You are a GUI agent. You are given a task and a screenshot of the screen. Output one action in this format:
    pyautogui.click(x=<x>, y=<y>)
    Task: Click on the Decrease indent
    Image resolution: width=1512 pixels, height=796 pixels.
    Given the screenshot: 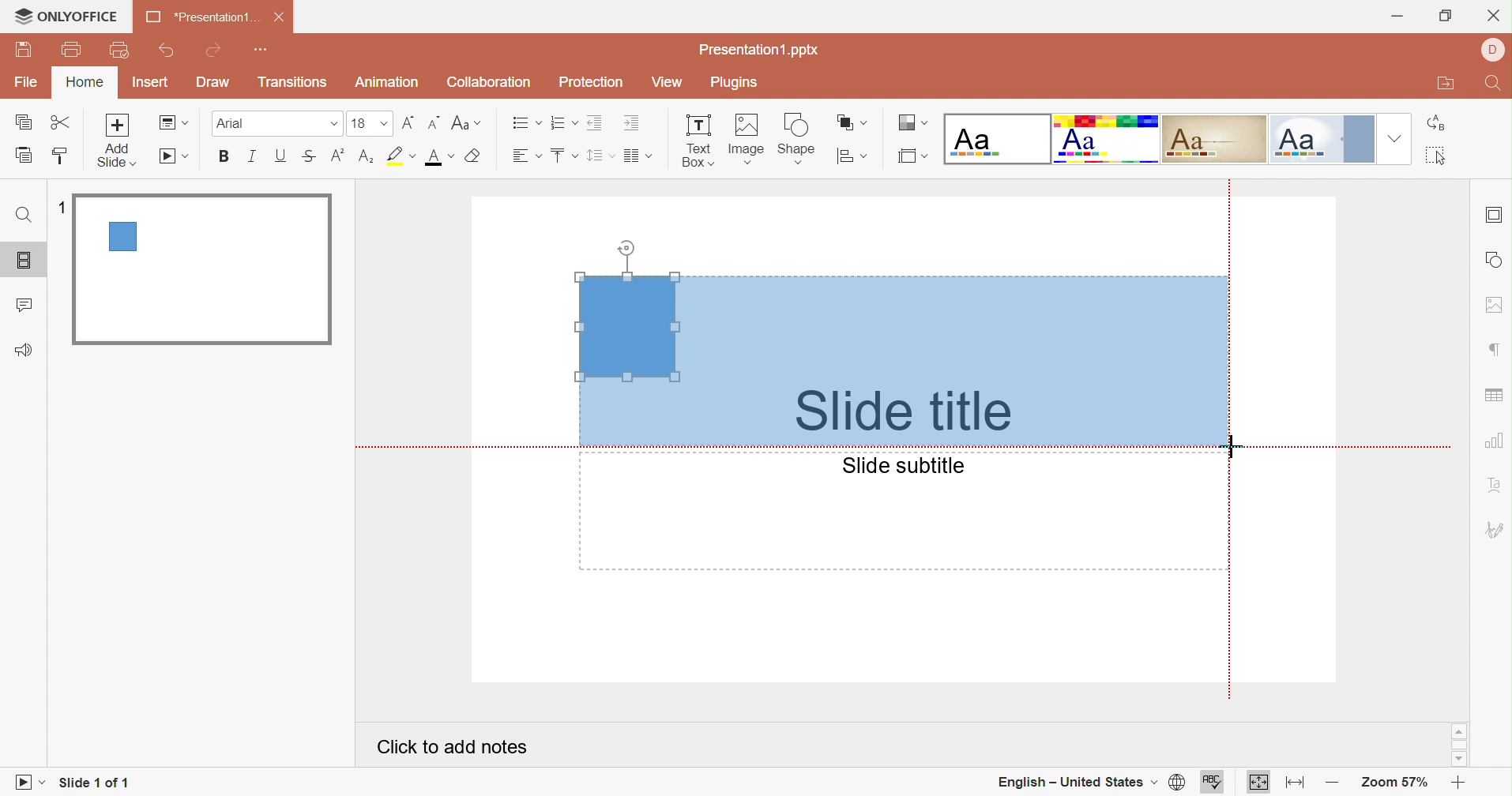 What is the action you would take?
    pyautogui.click(x=596, y=122)
    